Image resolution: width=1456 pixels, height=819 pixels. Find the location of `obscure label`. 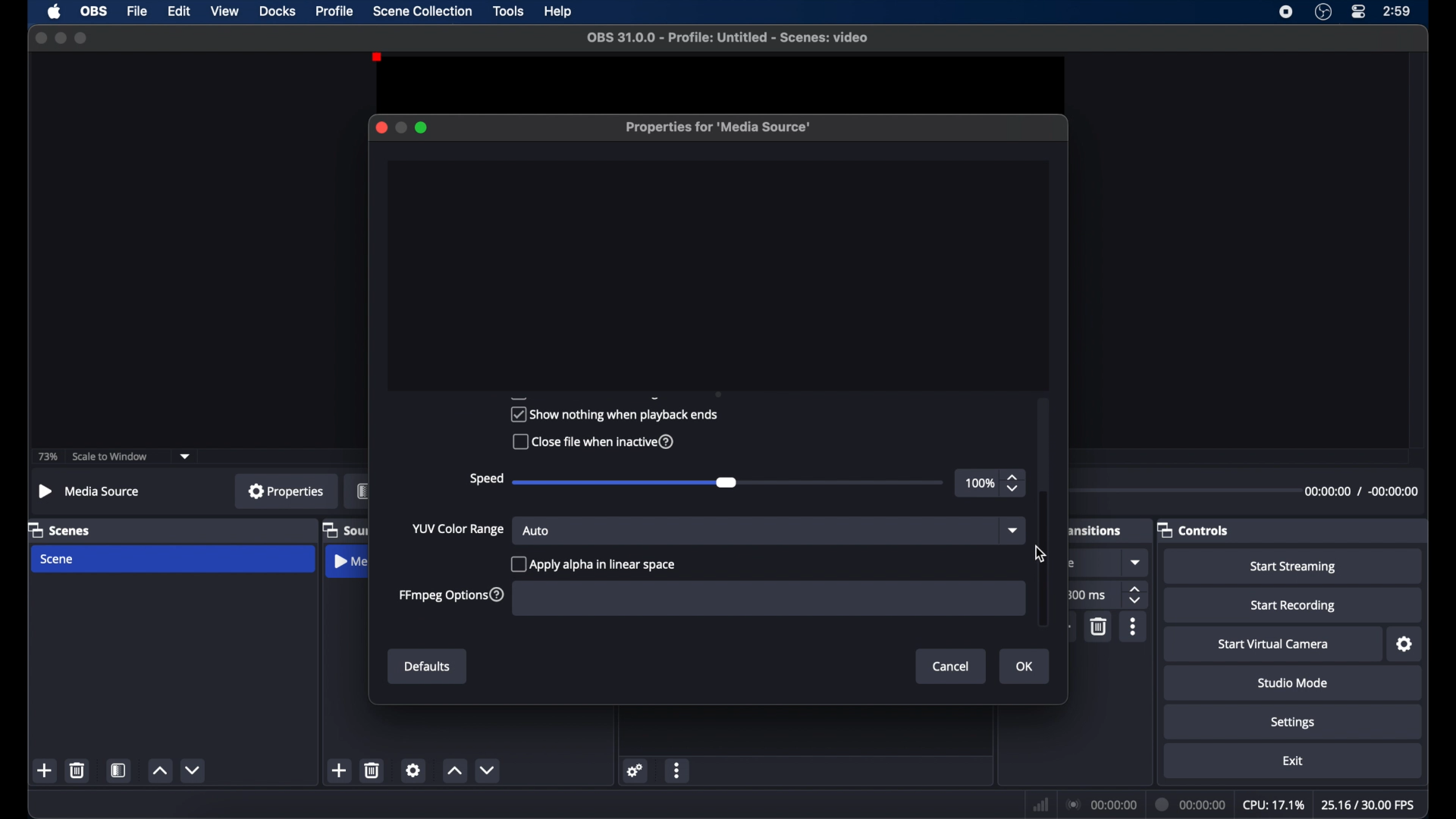

obscure label is located at coordinates (1096, 529).